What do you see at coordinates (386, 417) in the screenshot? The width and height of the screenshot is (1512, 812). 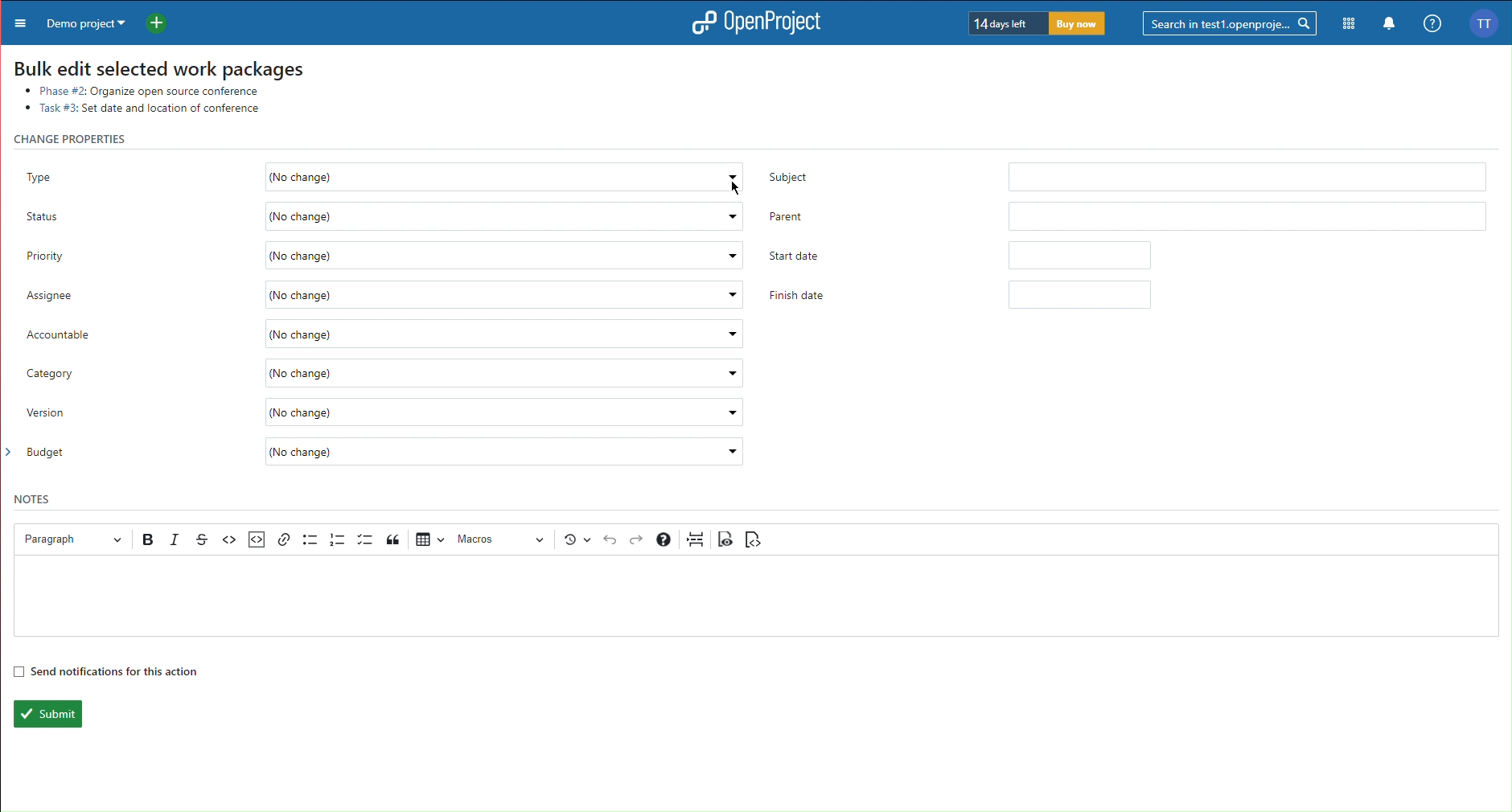 I see `Version` at bounding box center [386, 417].